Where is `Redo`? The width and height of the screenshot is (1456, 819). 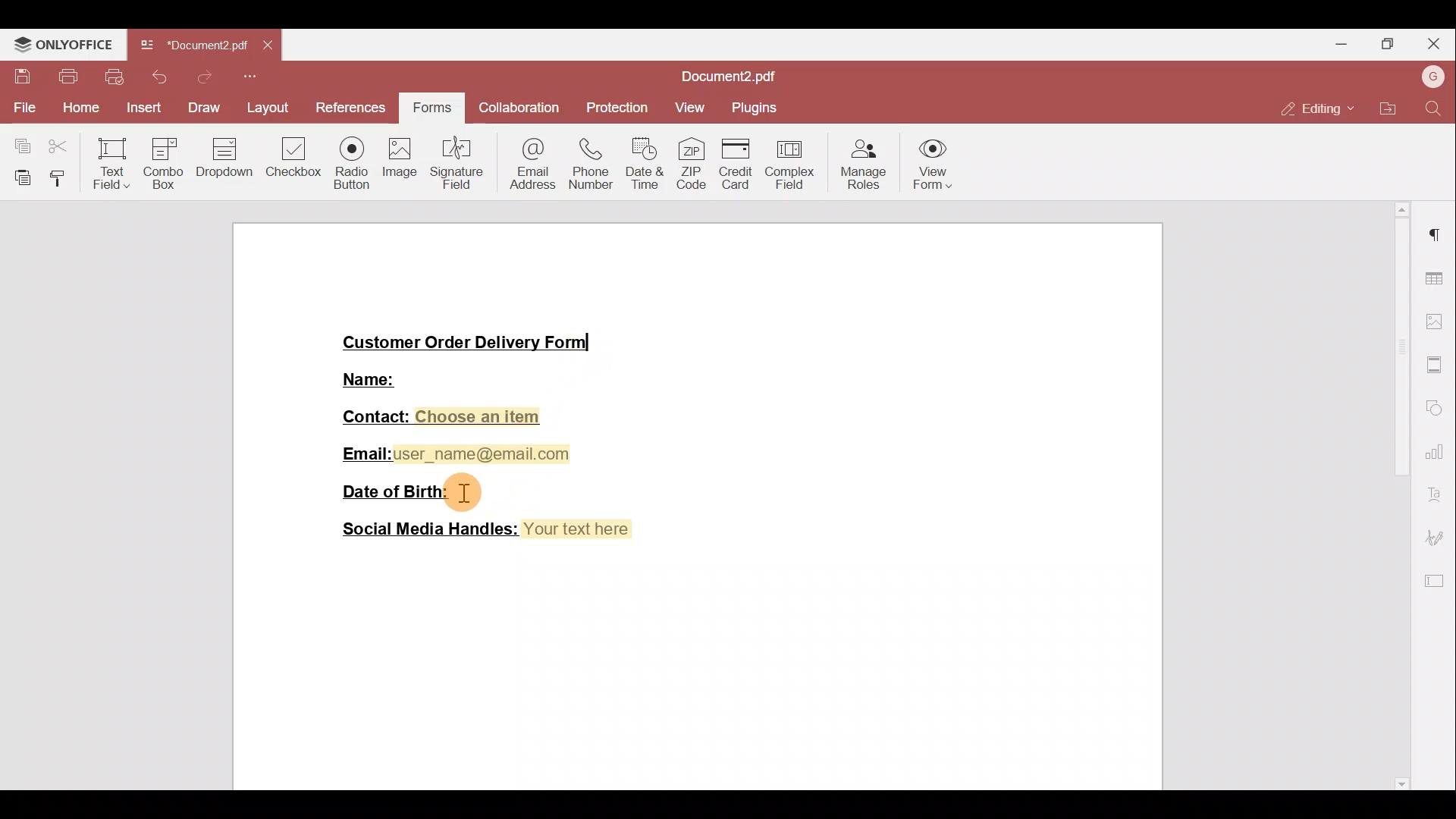
Redo is located at coordinates (199, 81).